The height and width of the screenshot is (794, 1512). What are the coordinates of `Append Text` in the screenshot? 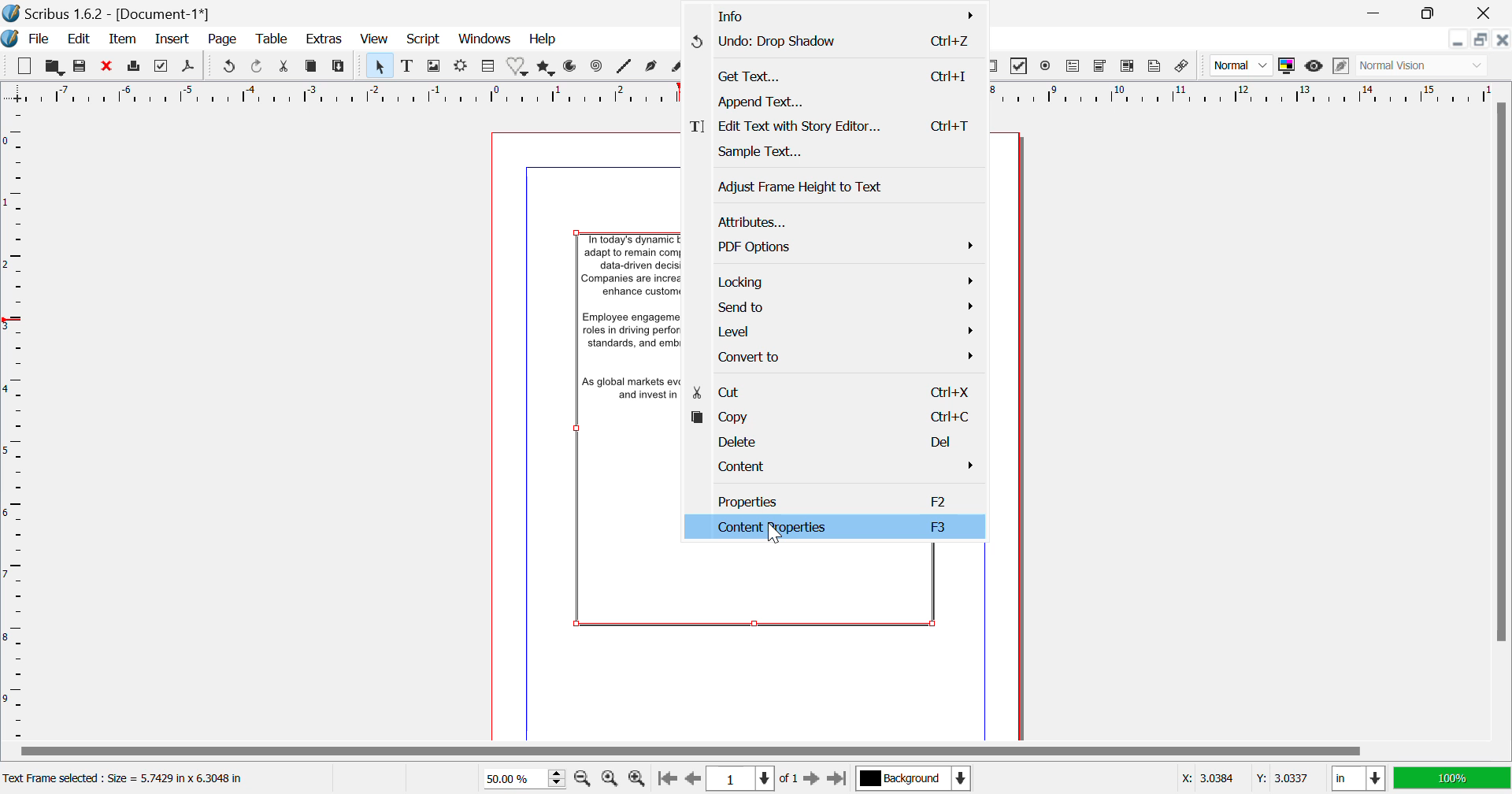 It's located at (832, 102).